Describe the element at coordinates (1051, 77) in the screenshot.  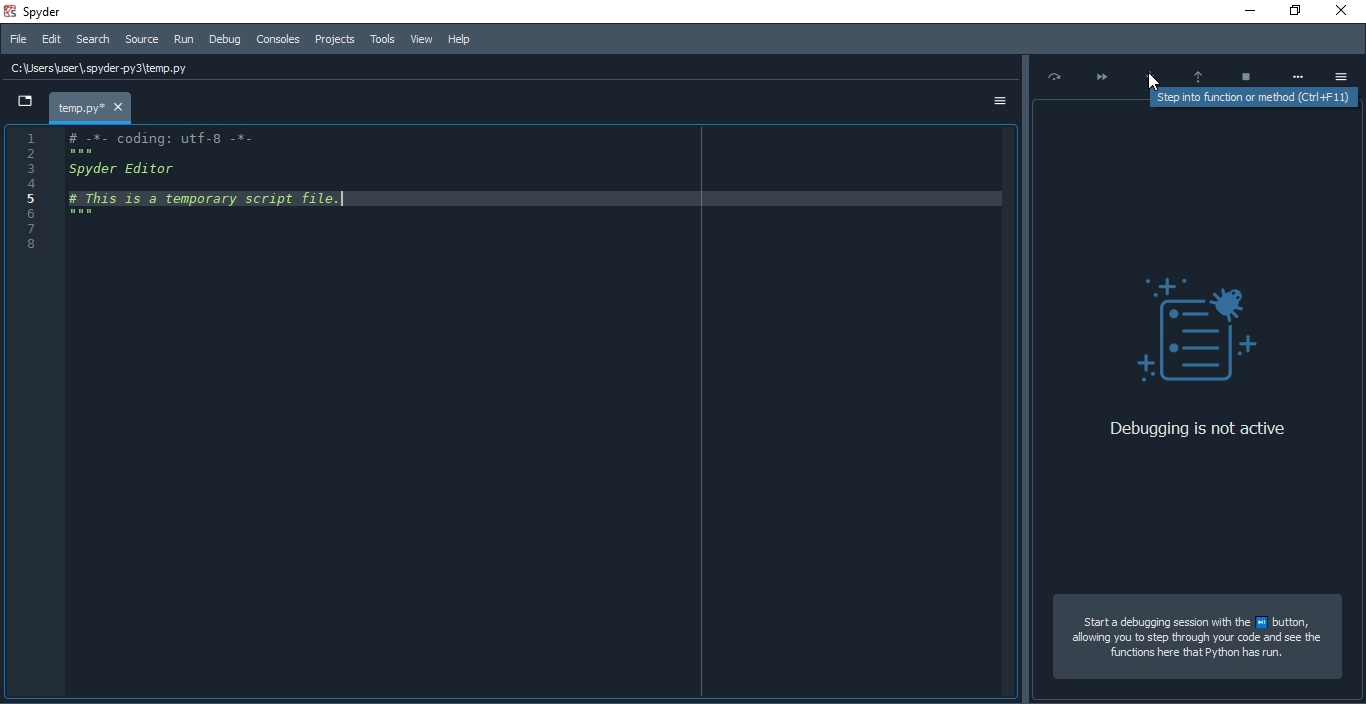
I see `Execute current line` at that location.